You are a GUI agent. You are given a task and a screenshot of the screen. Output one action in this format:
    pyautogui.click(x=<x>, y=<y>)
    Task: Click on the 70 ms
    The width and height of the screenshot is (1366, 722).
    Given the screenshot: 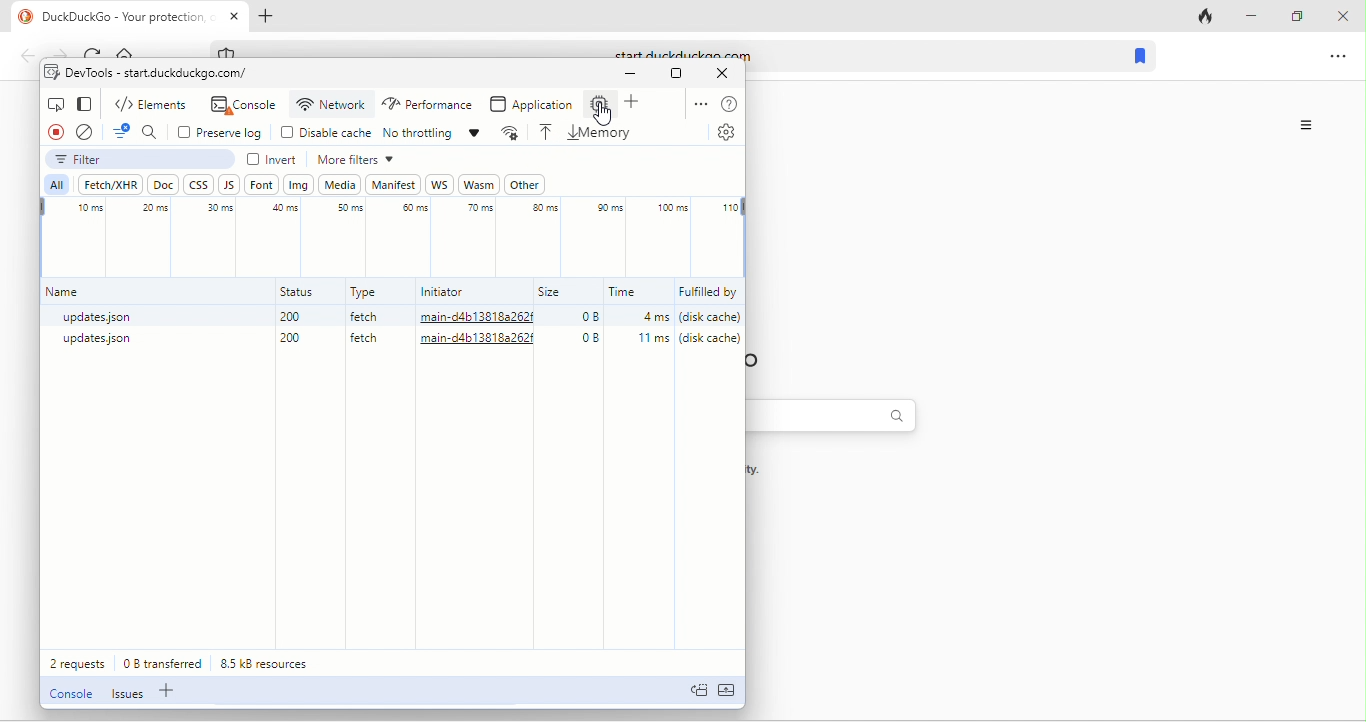 What is the action you would take?
    pyautogui.click(x=471, y=211)
    